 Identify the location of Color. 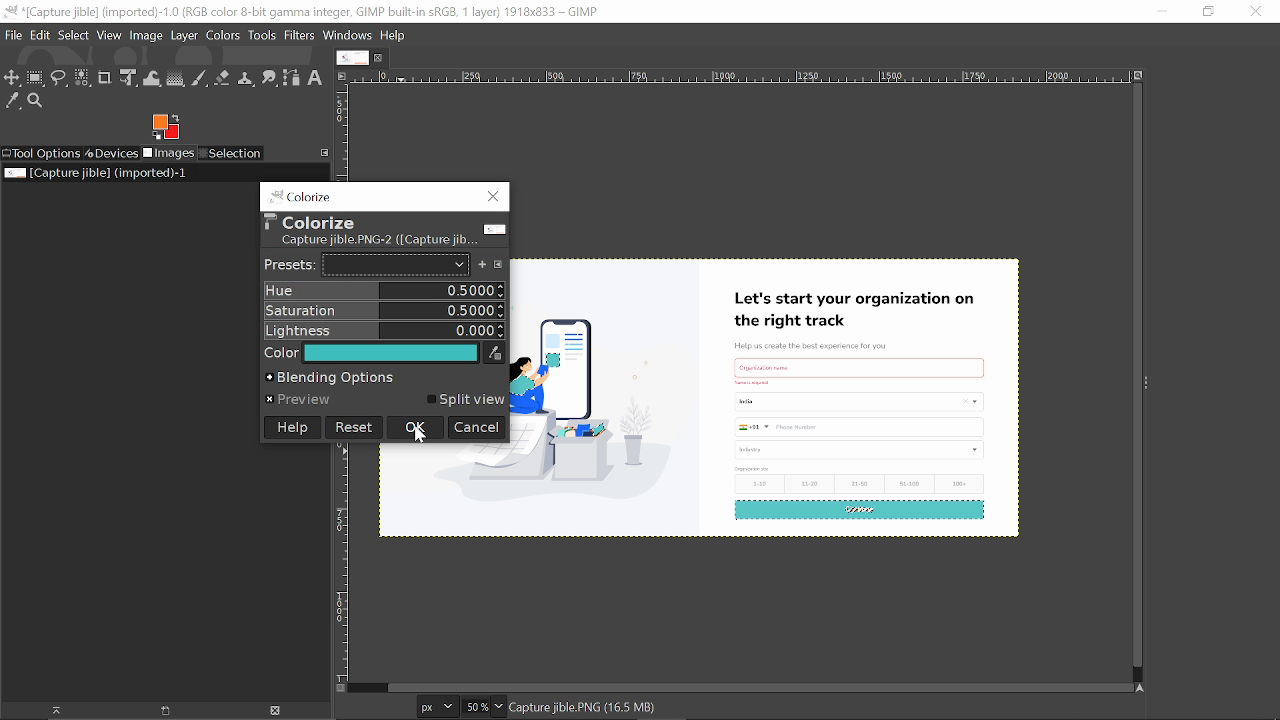
(384, 353).